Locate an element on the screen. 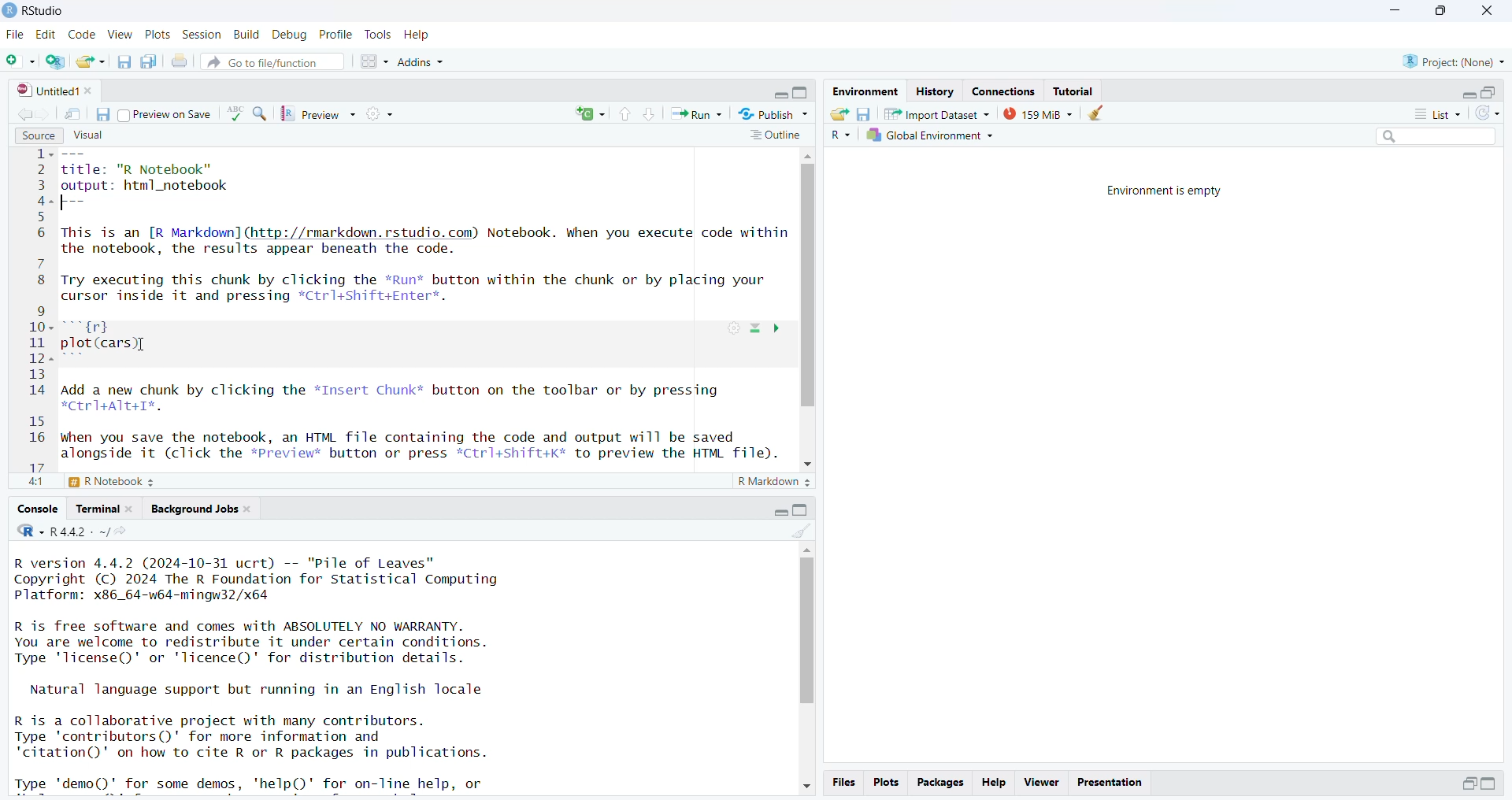 The image size is (1512, 800). plots is located at coordinates (885, 783).